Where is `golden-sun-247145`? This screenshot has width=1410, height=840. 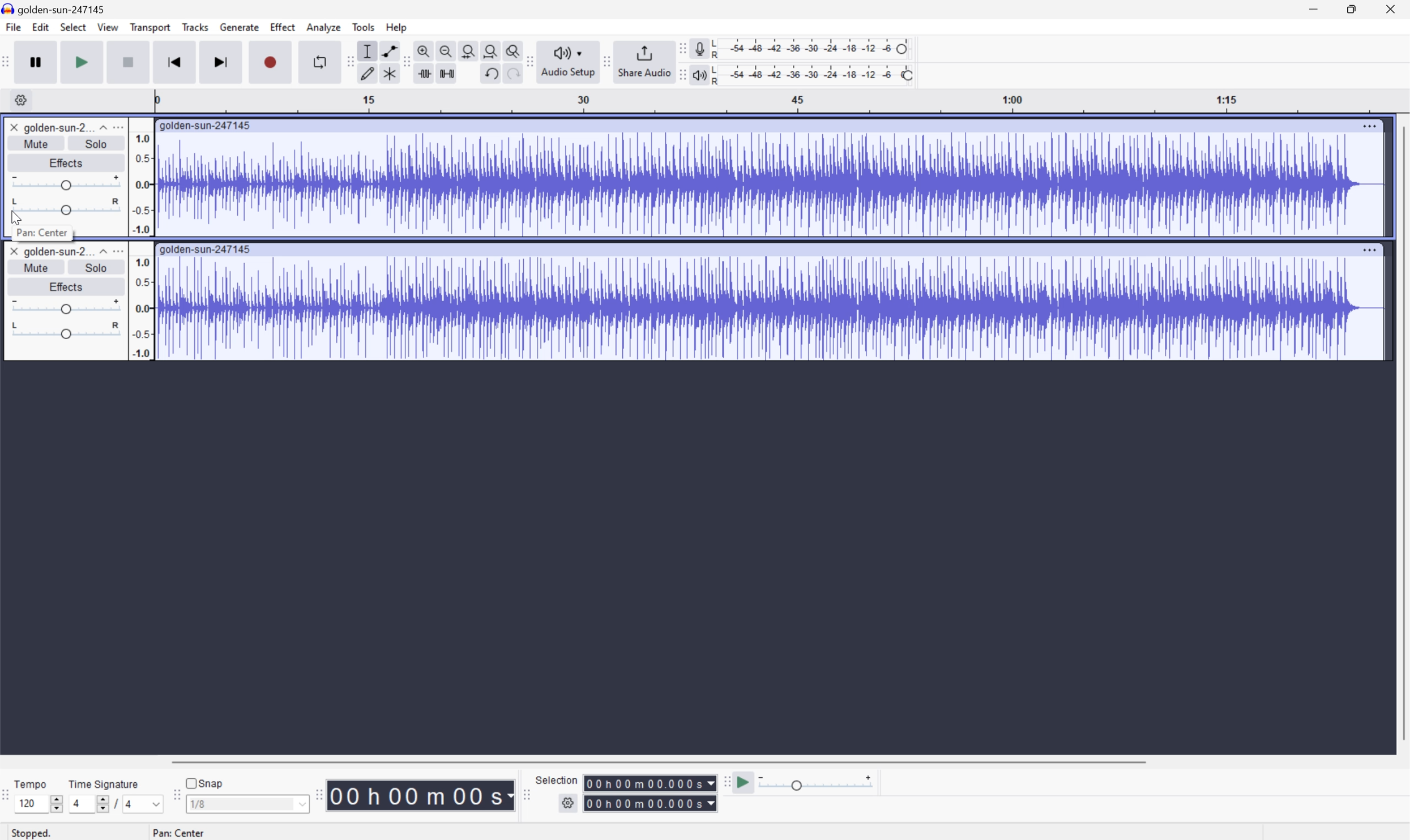
golden-sun-247145 is located at coordinates (57, 8).